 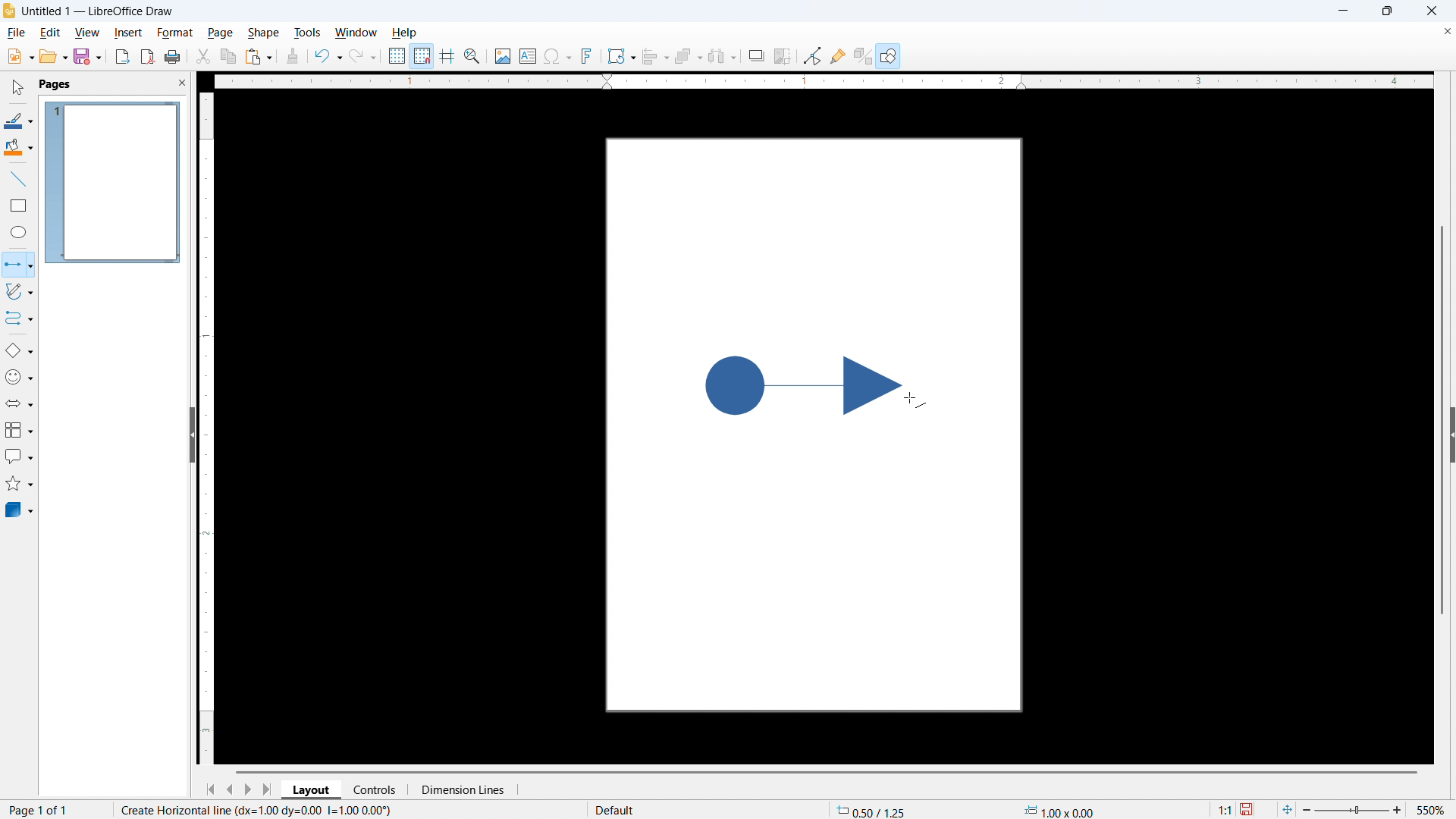 What do you see at coordinates (20, 456) in the screenshot?
I see `Insert call out shapes ` at bounding box center [20, 456].